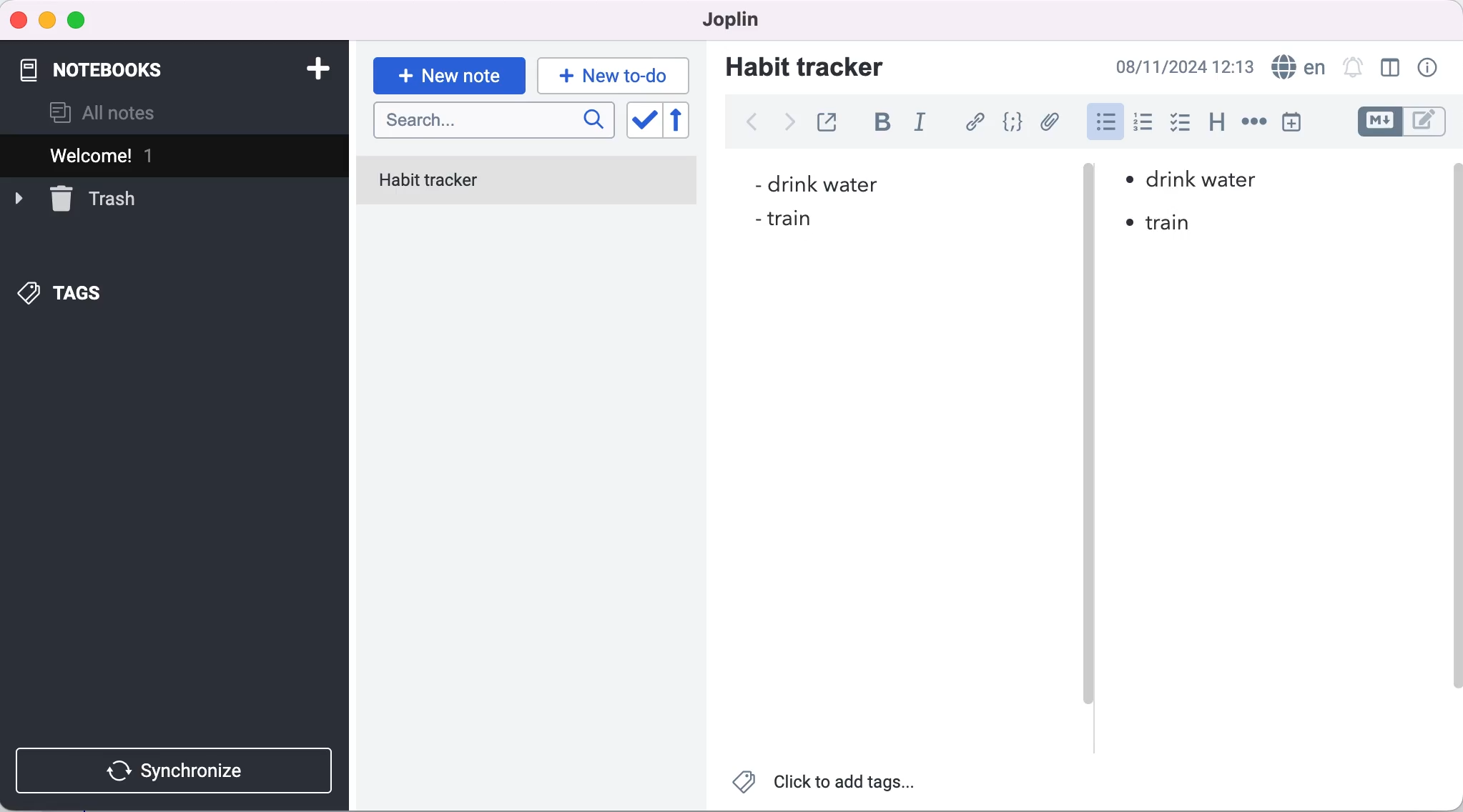 The image size is (1463, 812). What do you see at coordinates (1181, 66) in the screenshot?
I see `08/11/2024 12:13` at bounding box center [1181, 66].